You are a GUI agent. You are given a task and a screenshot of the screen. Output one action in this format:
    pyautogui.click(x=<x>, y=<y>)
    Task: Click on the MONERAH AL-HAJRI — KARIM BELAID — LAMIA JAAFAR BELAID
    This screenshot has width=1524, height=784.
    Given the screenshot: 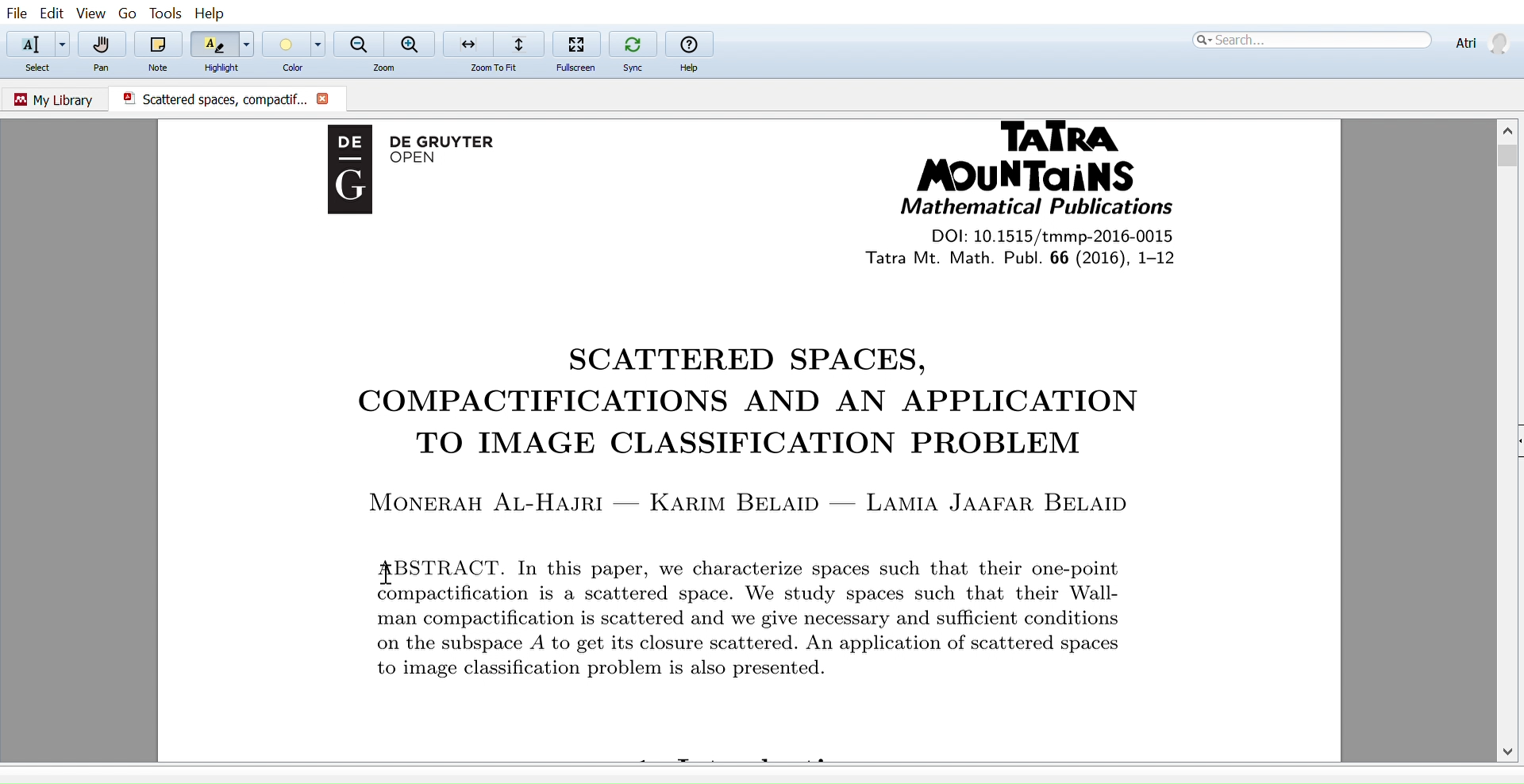 What is the action you would take?
    pyautogui.click(x=754, y=501)
    